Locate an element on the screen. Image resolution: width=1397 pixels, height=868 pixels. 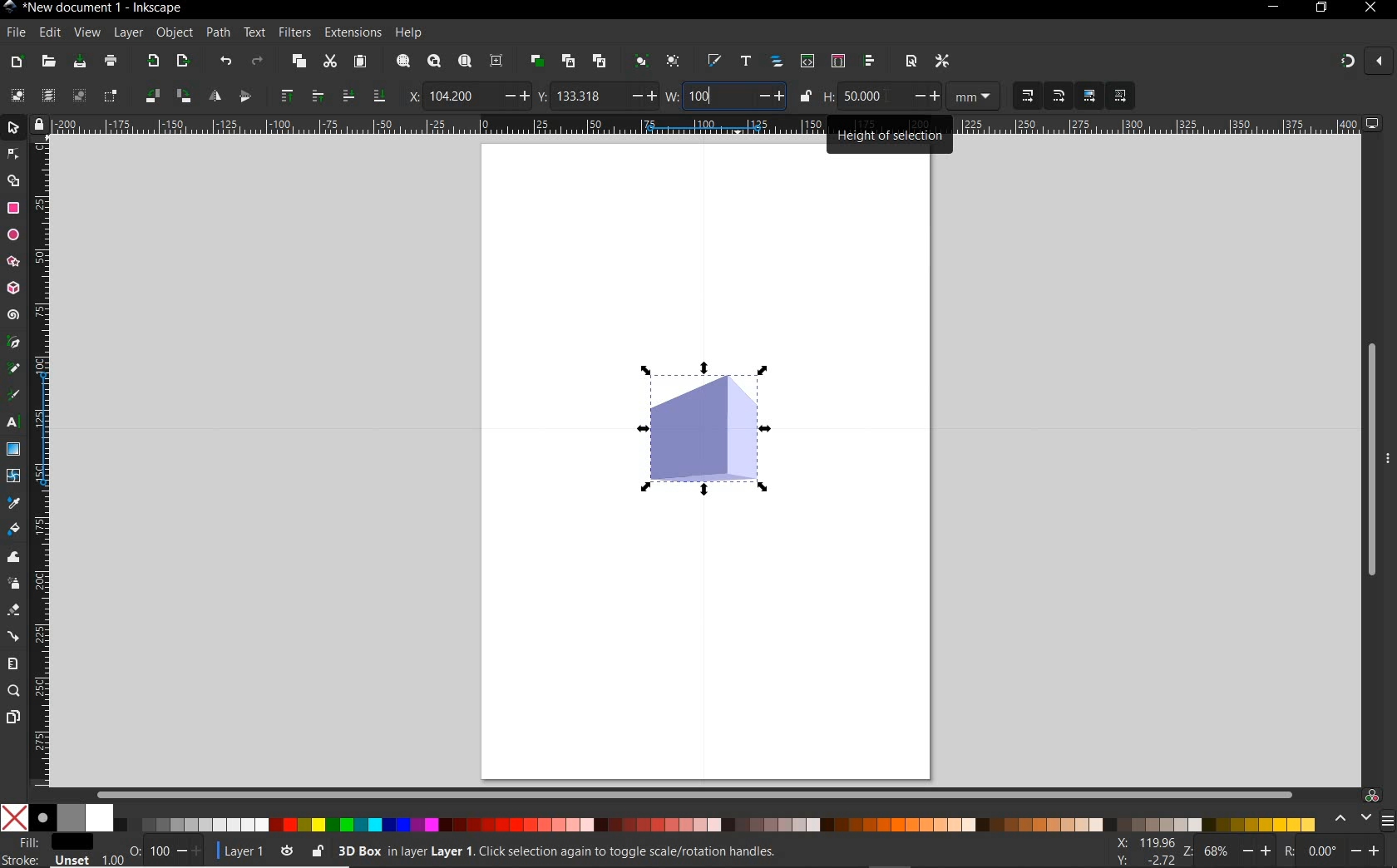
paint bucket tool is located at coordinates (15, 530).